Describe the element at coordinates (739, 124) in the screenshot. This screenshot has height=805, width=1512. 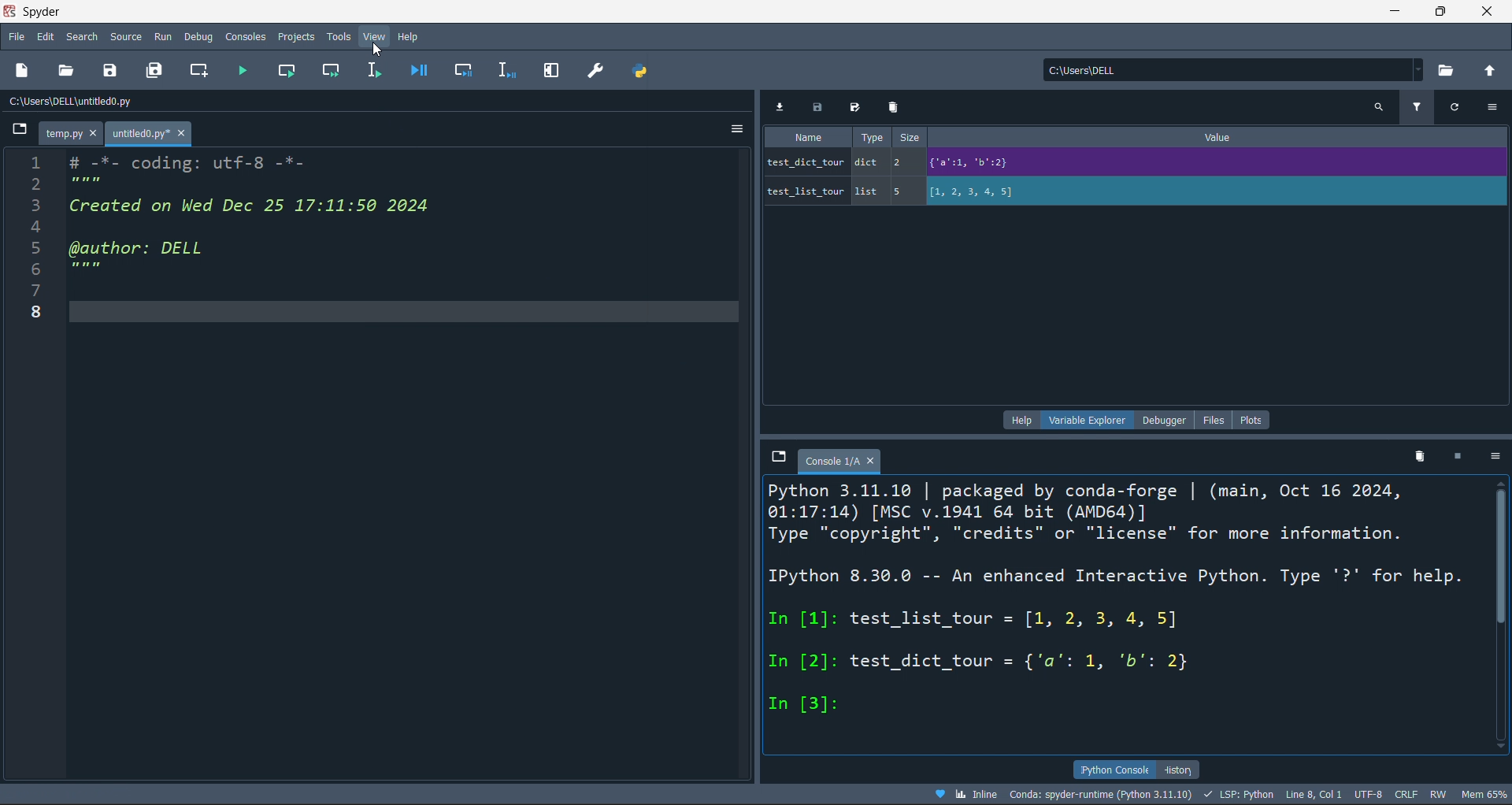
I see `more options` at that location.